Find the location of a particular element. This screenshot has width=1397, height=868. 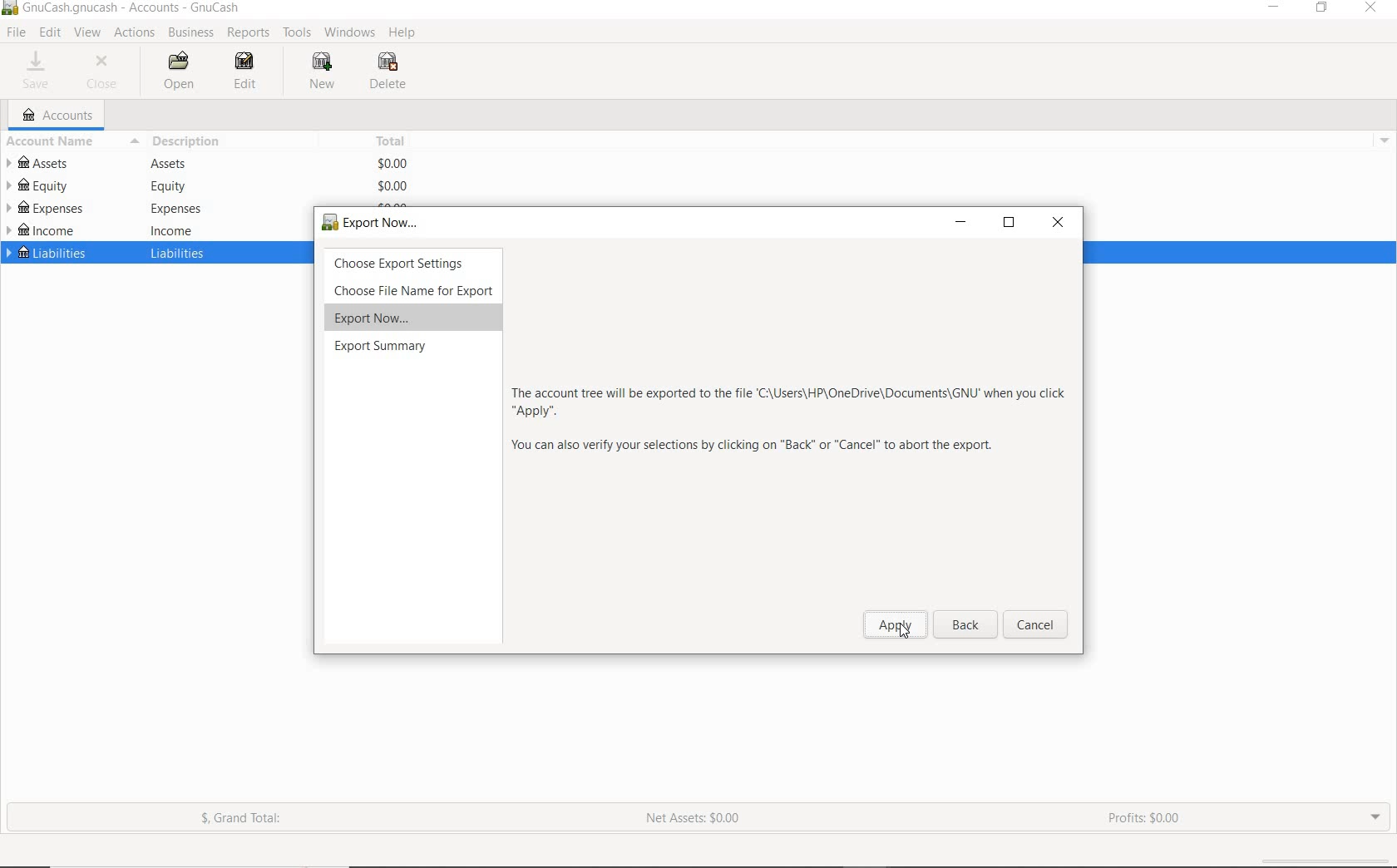

HELP is located at coordinates (402, 33).